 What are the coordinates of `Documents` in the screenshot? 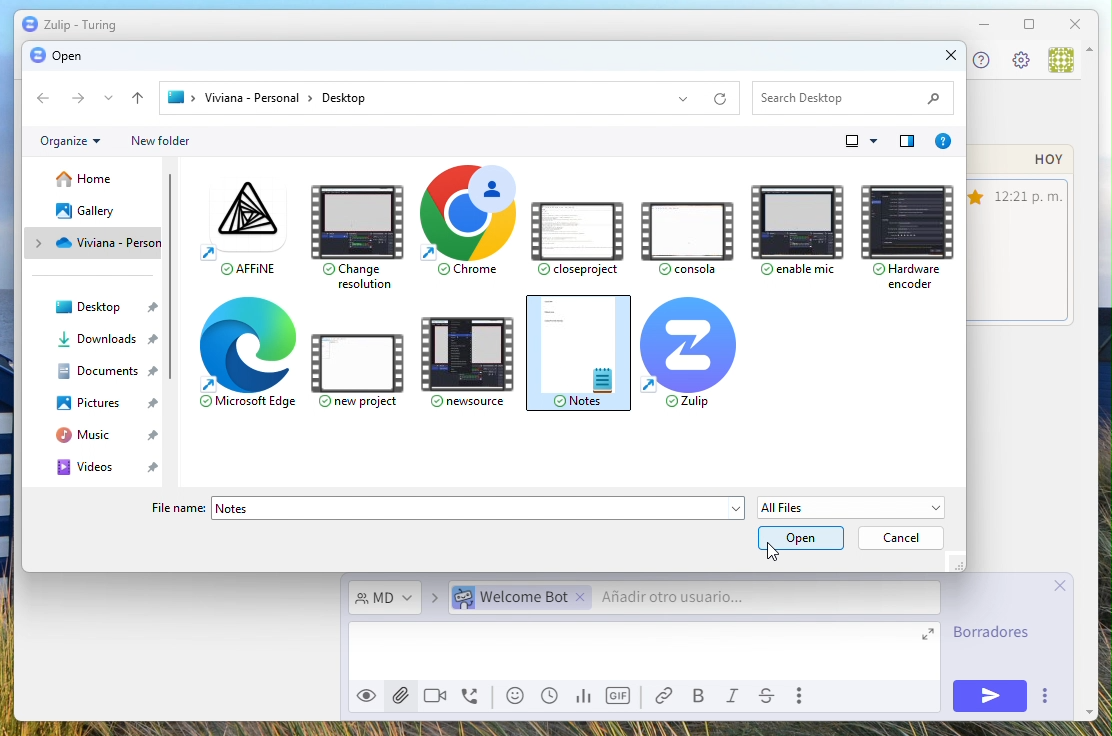 It's located at (107, 371).